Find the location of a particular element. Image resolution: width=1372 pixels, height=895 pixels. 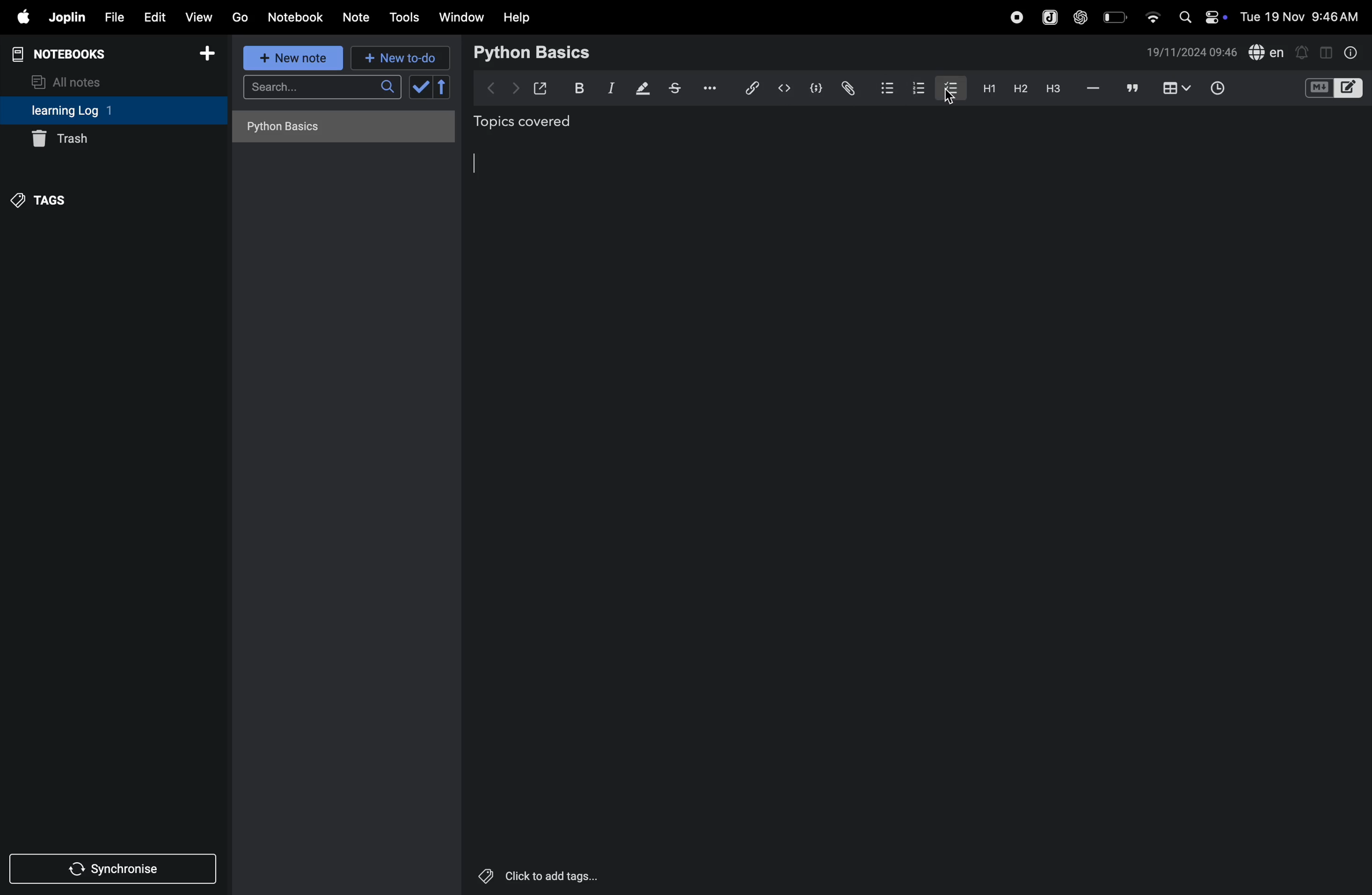

forward is located at coordinates (515, 88).